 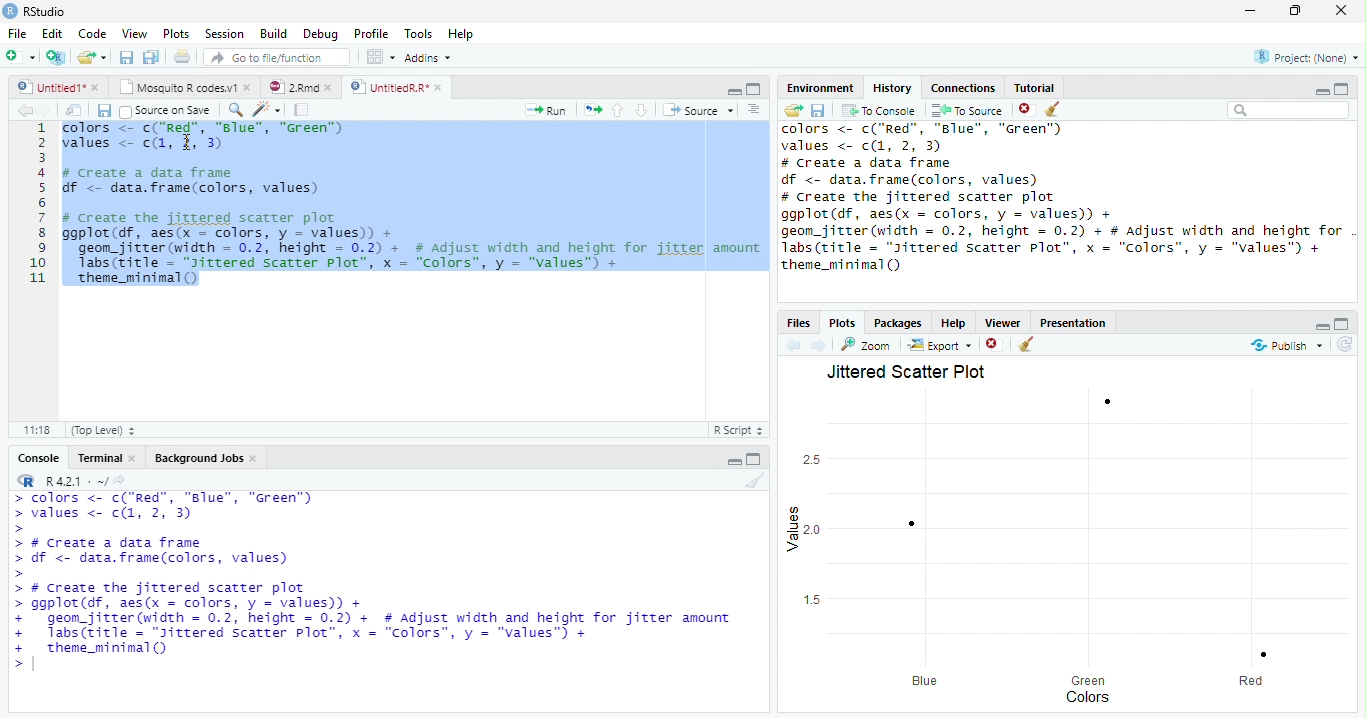 I want to click on Minimize, so click(x=733, y=462).